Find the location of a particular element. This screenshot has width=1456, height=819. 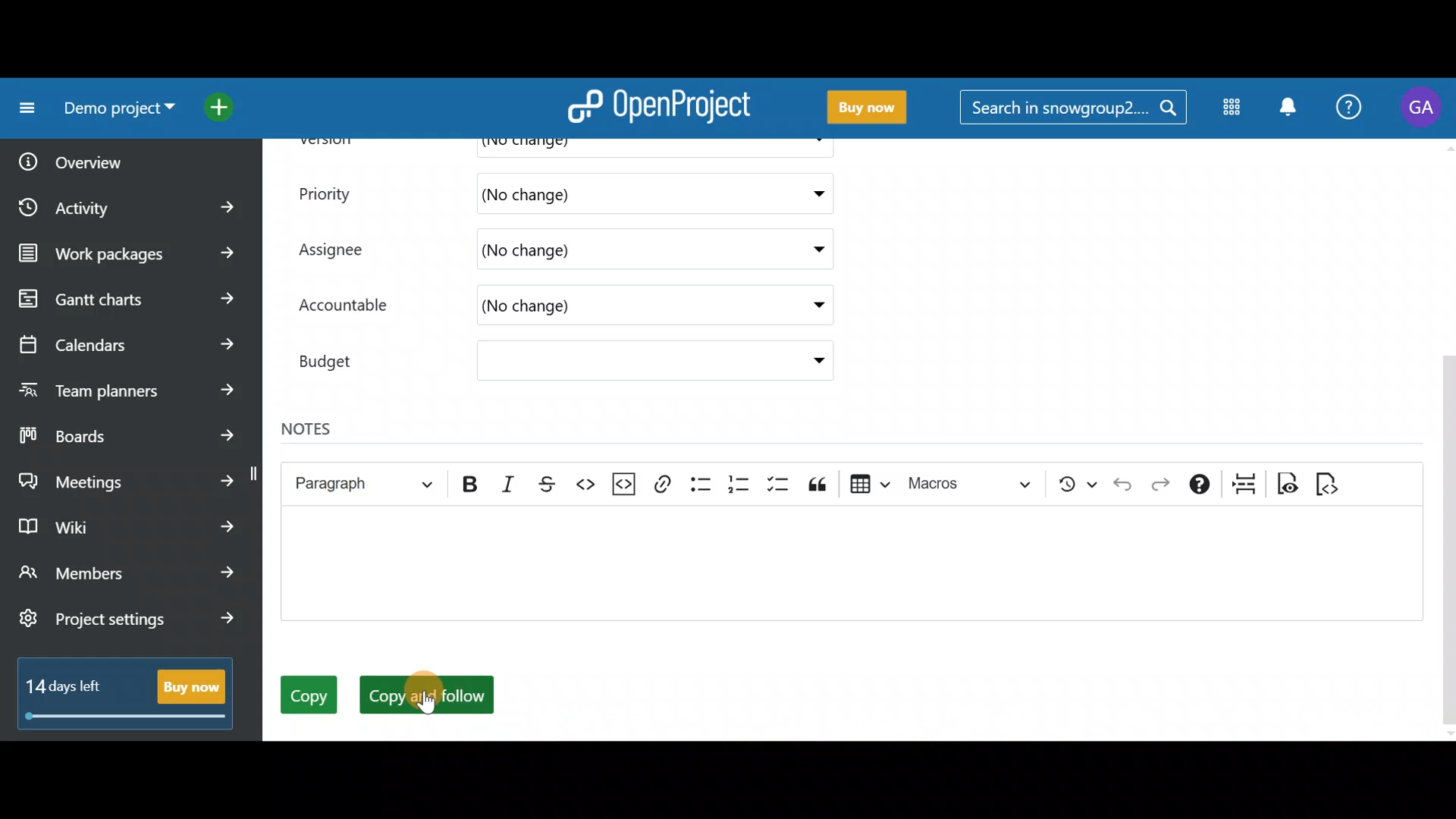

Collapse project menu is located at coordinates (24, 108).